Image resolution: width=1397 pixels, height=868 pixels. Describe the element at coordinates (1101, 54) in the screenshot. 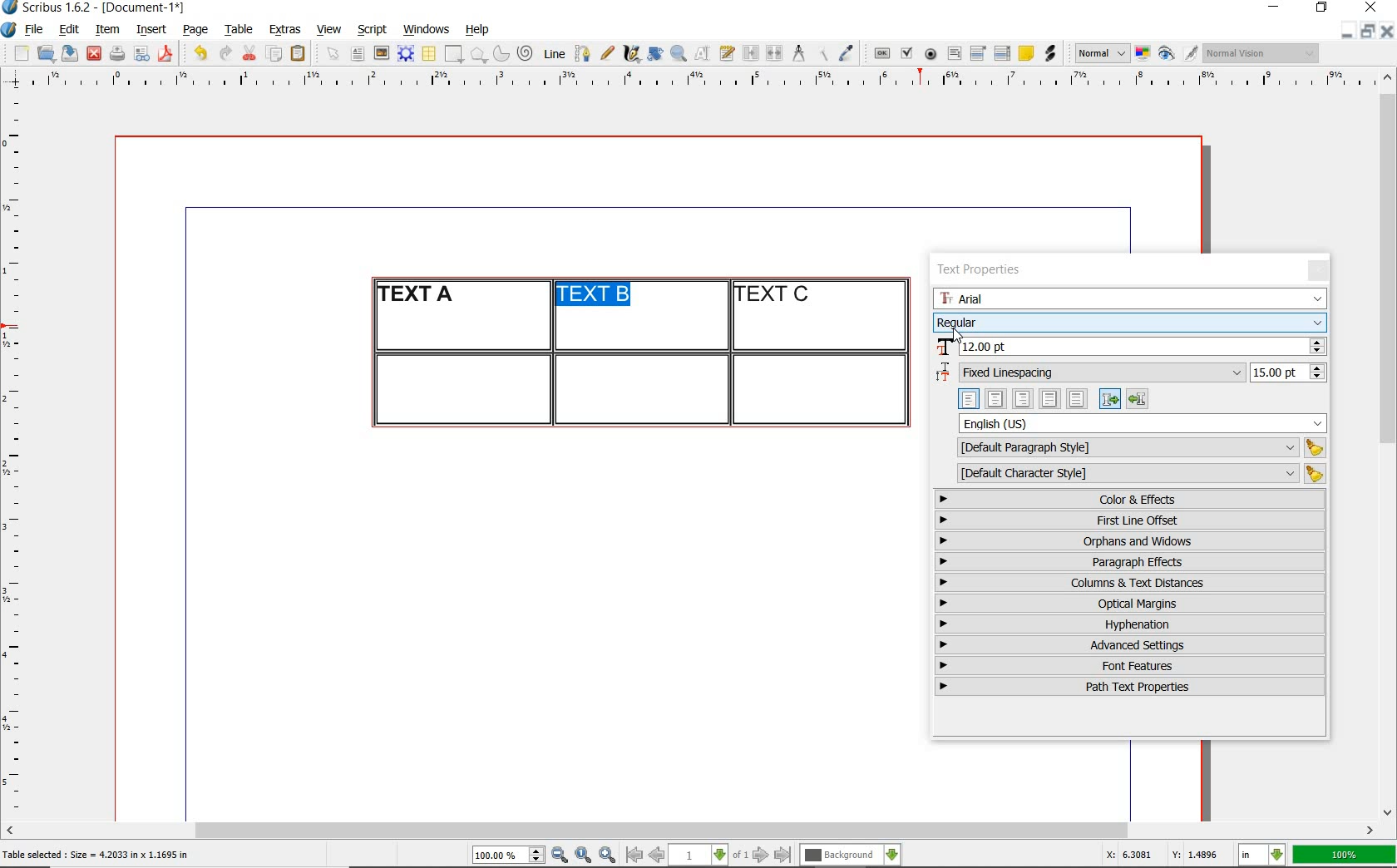

I see `select image preview mode` at that location.